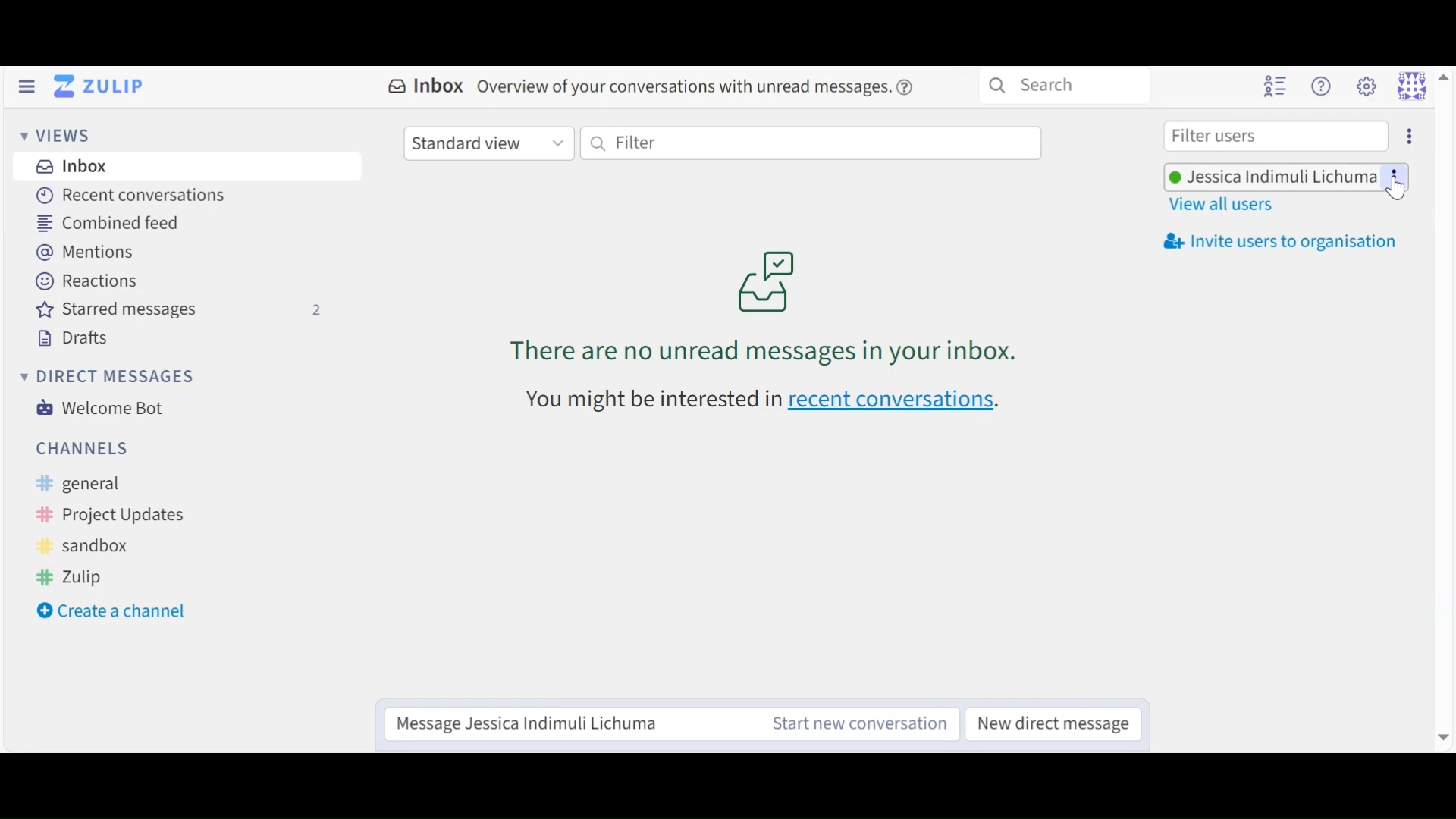 The image size is (1456, 819). What do you see at coordinates (1398, 178) in the screenshot?
I see `more options` at bounding box center [1398, 178].